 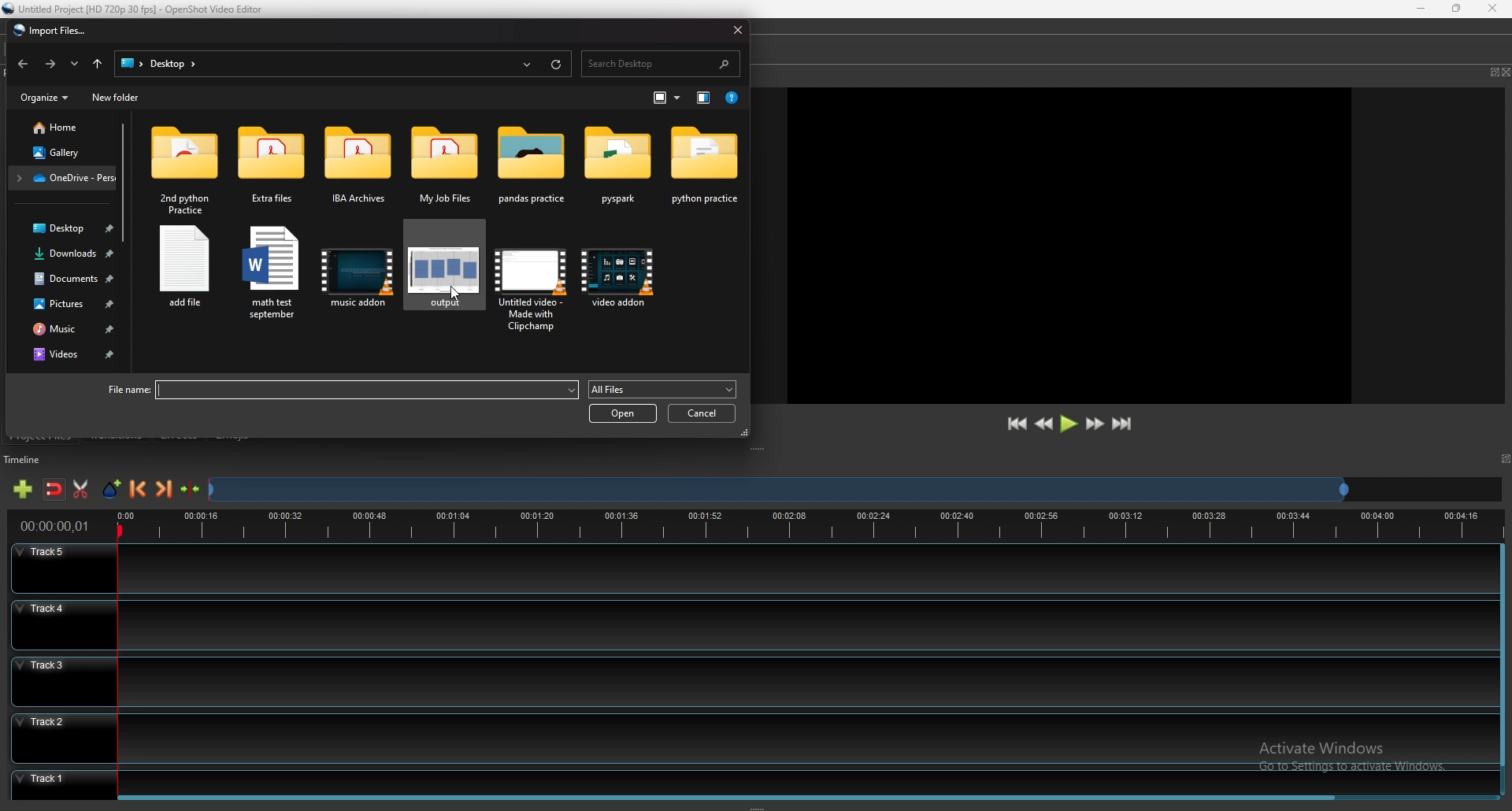 I want to click on help, so click(x=732, y=98).